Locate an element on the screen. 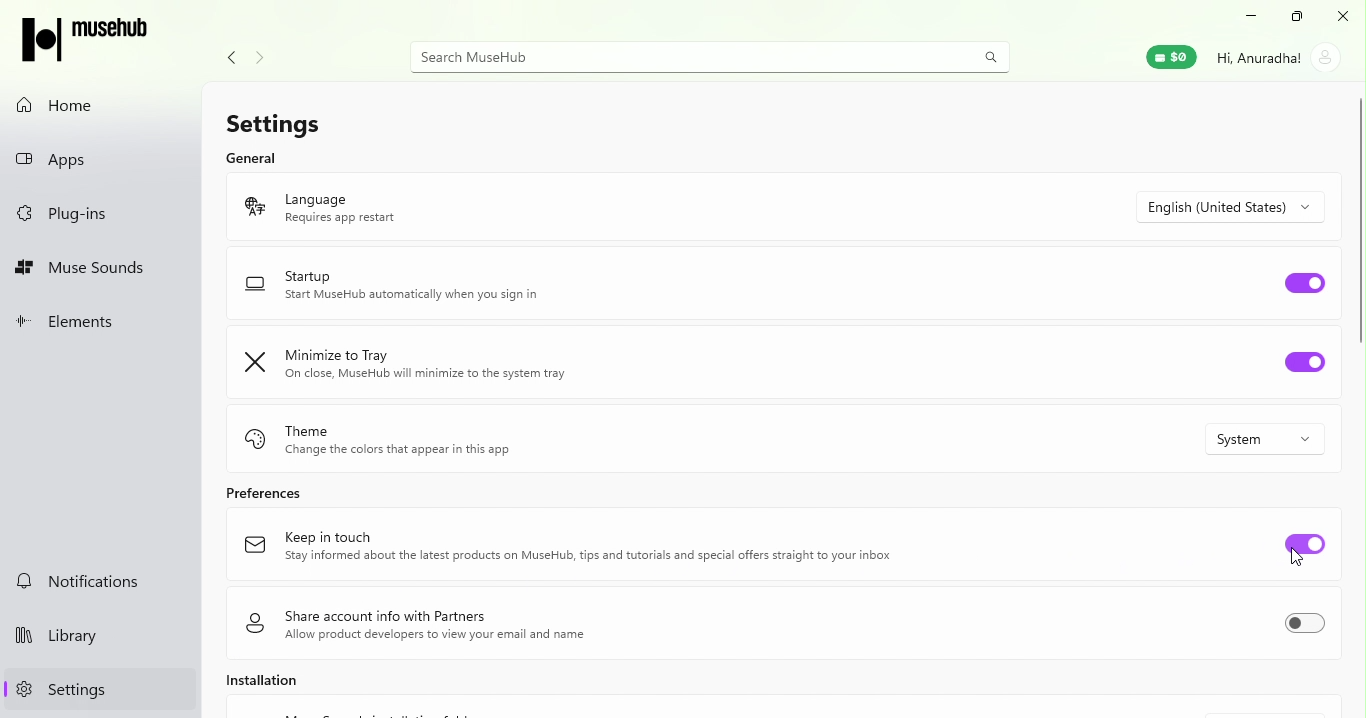  Minimize to tray is located at coordinates (513, 362).